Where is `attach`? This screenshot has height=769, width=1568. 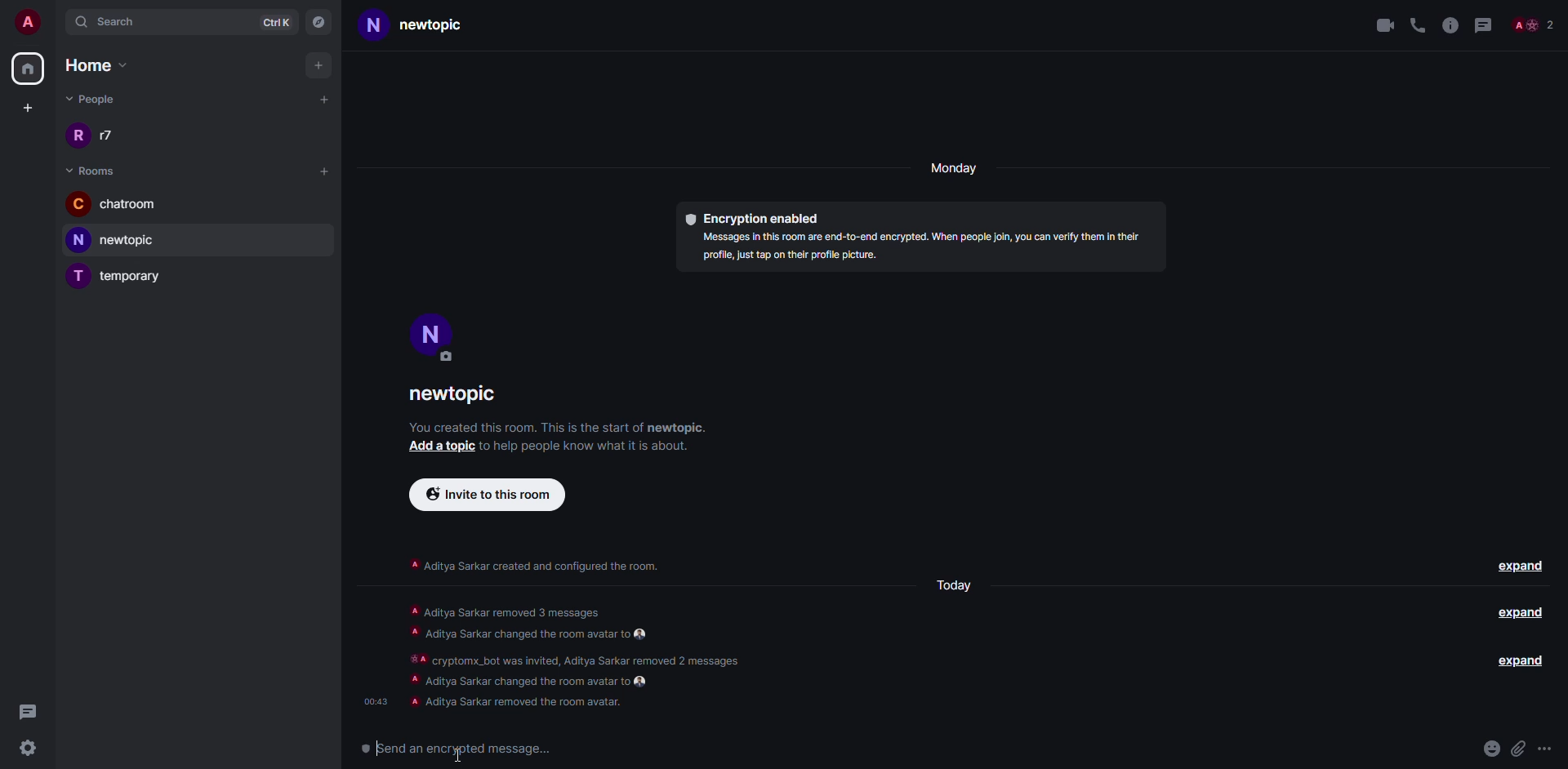 attach is located at coordinates (1519, 749).